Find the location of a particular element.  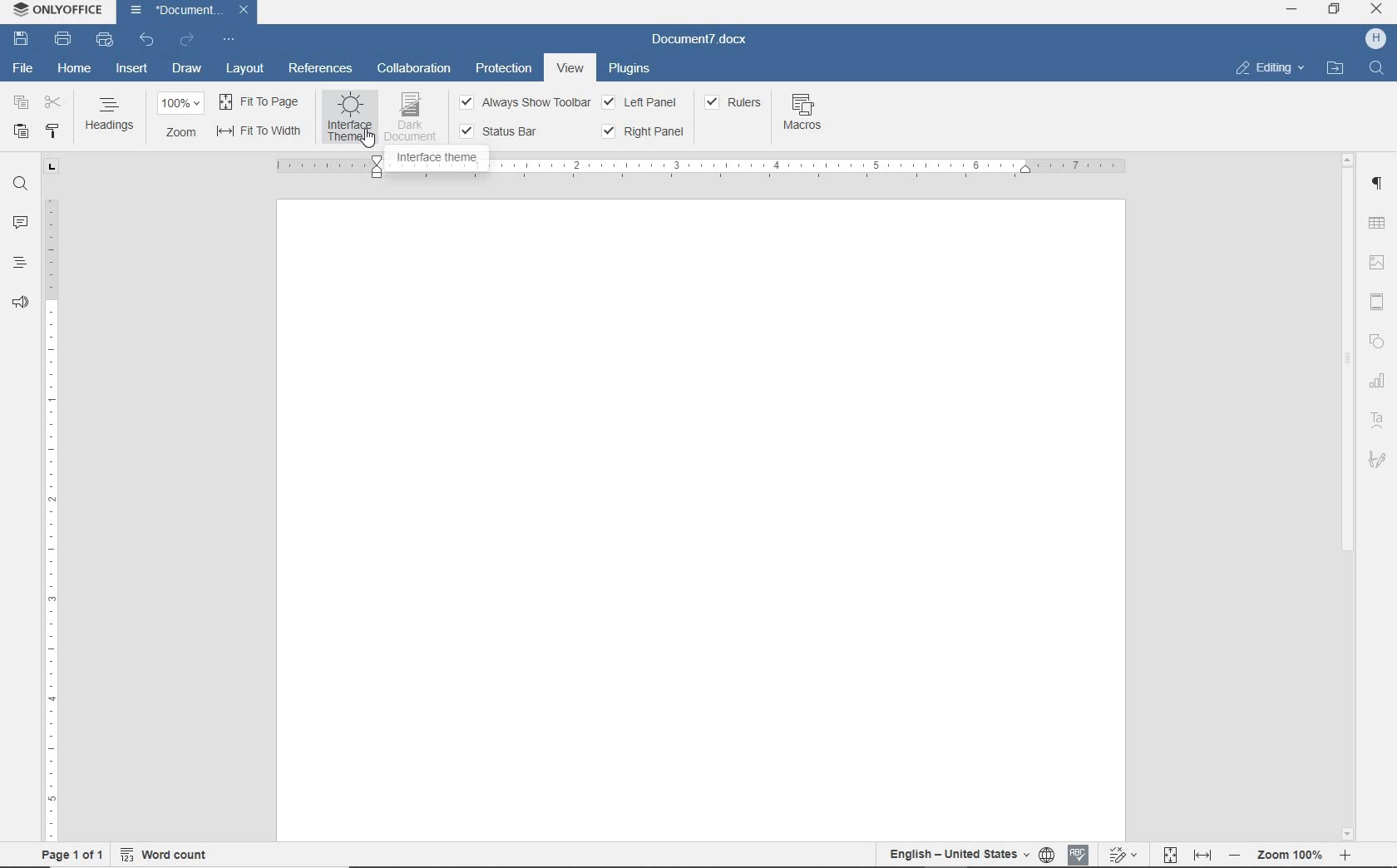

PARAGRAPH SETTINGS is located at coordinates (1377, 184).